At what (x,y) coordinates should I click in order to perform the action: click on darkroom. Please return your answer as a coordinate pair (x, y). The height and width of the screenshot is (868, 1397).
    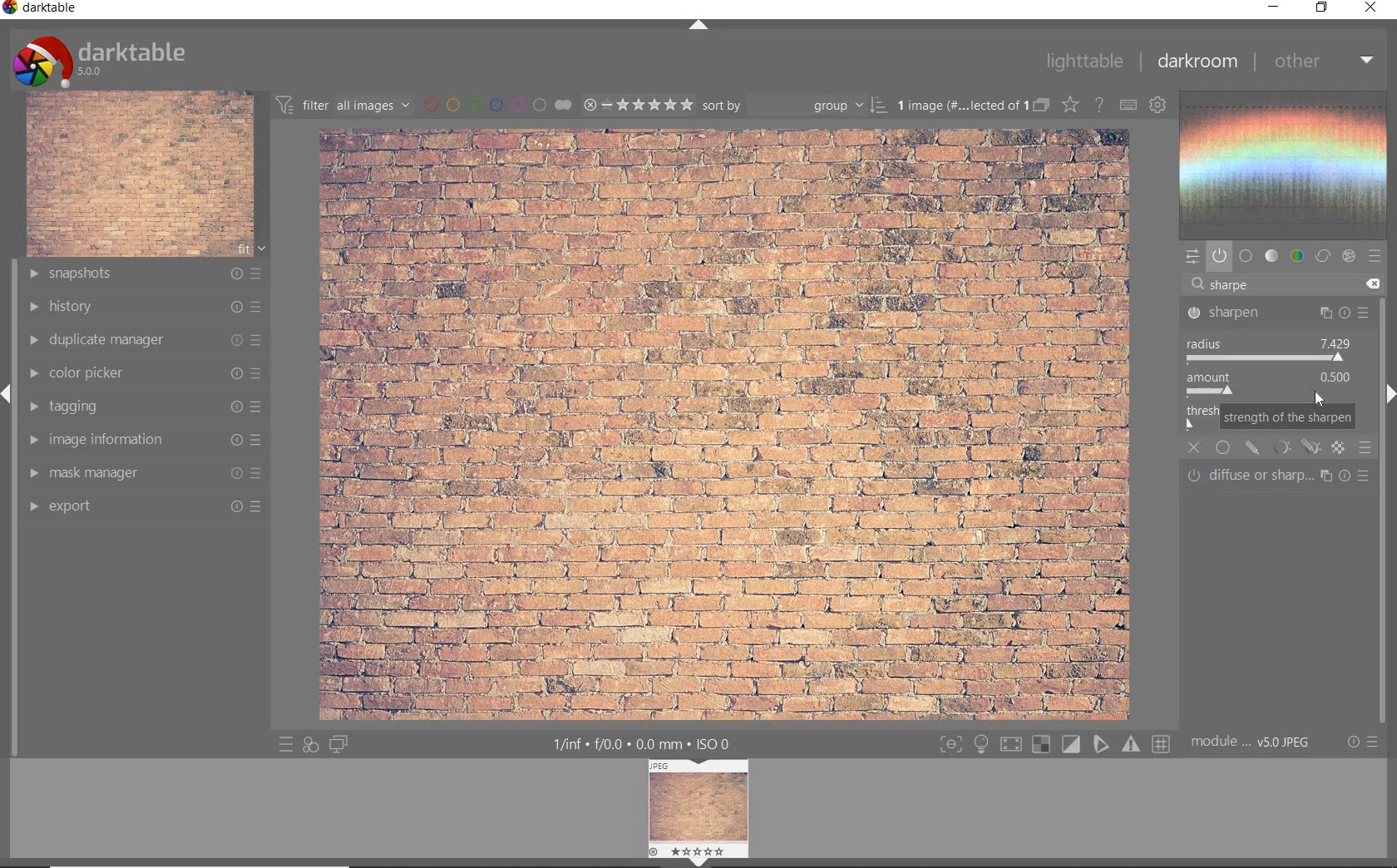
    Looking at the image, I should click on (1197, 62).